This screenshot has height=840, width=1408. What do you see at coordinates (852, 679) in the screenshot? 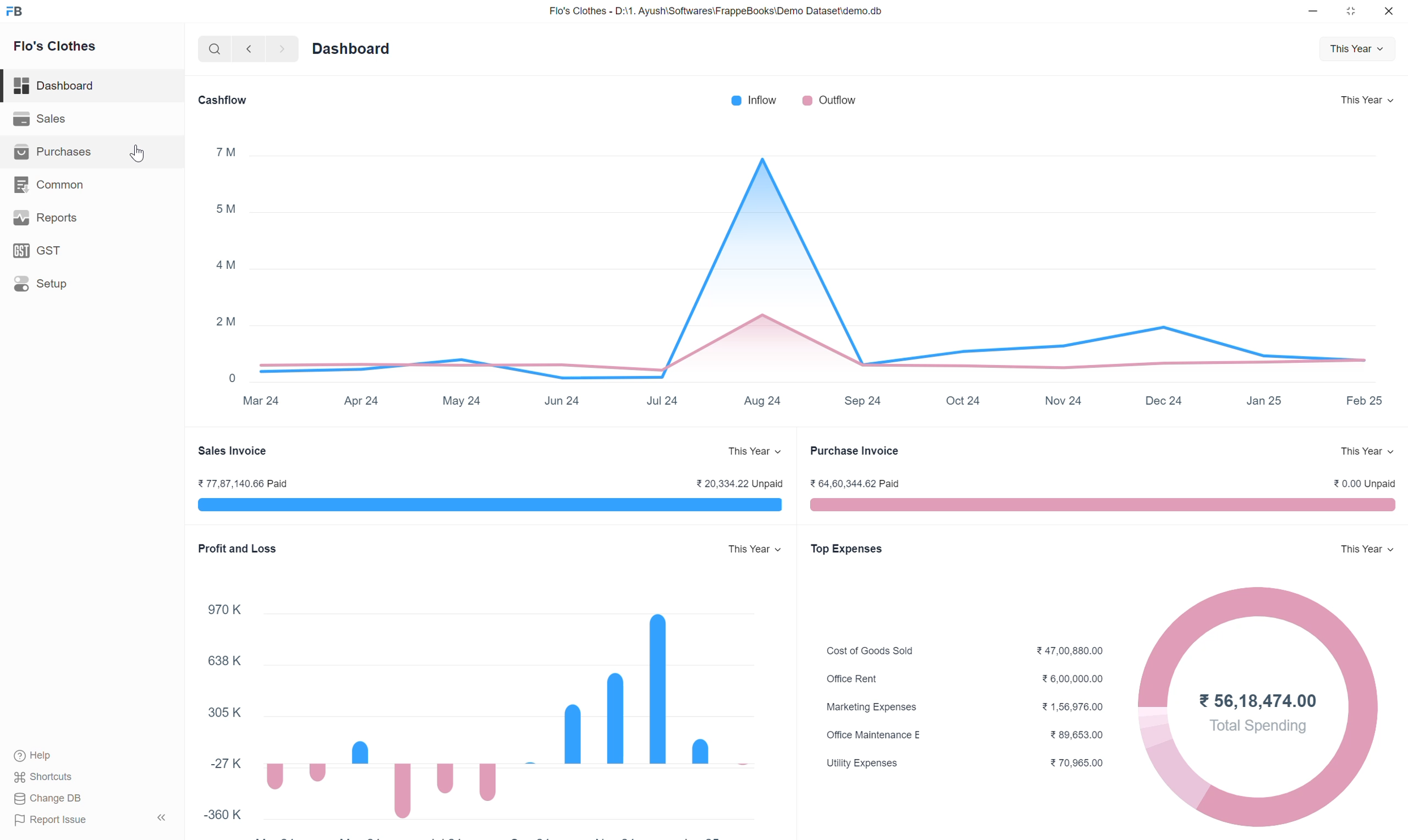
I see `Office Rent` at bounding box center [852, 679].